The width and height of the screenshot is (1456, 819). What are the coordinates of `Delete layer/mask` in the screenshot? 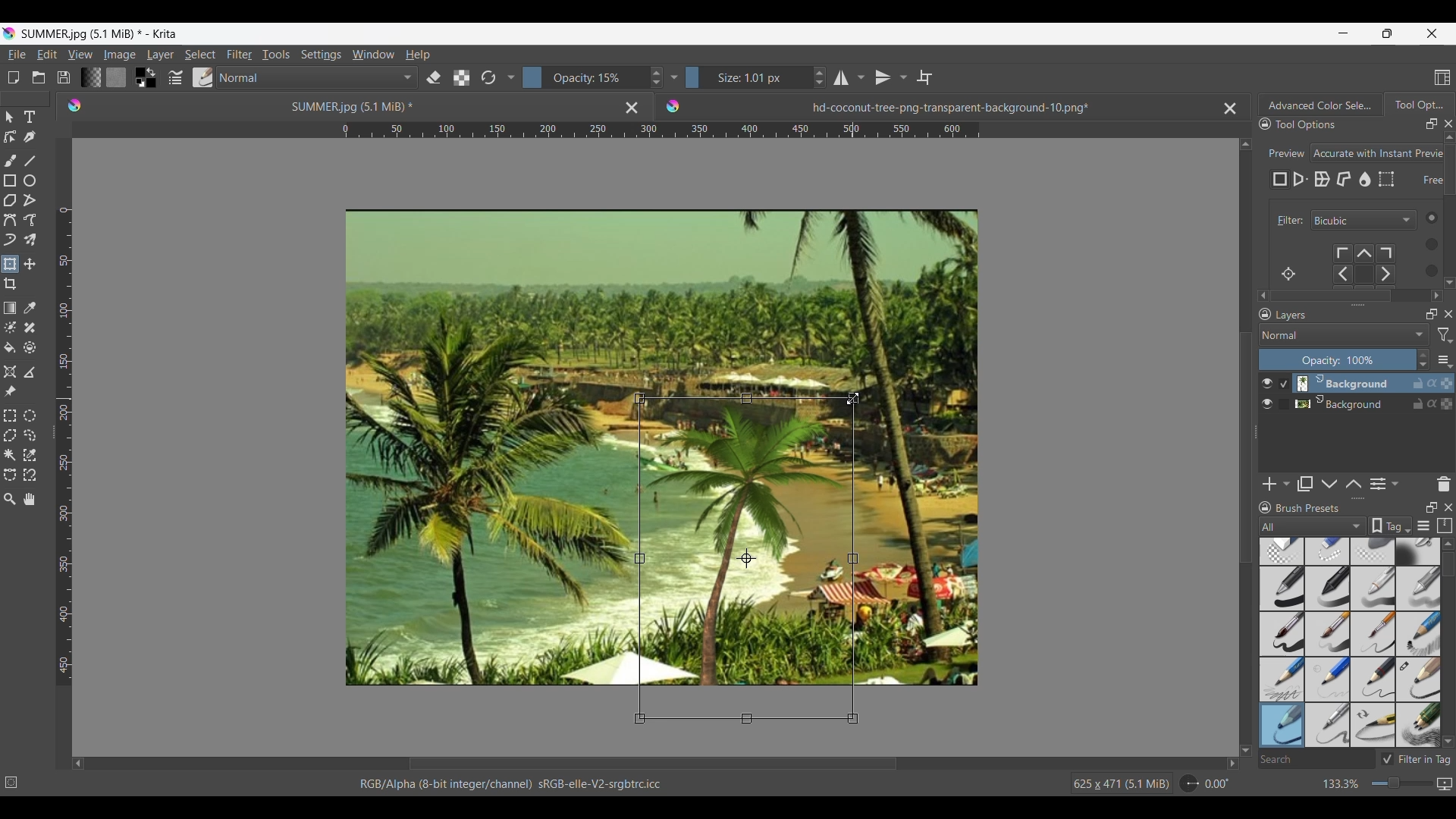 It's located at (1445, 483).